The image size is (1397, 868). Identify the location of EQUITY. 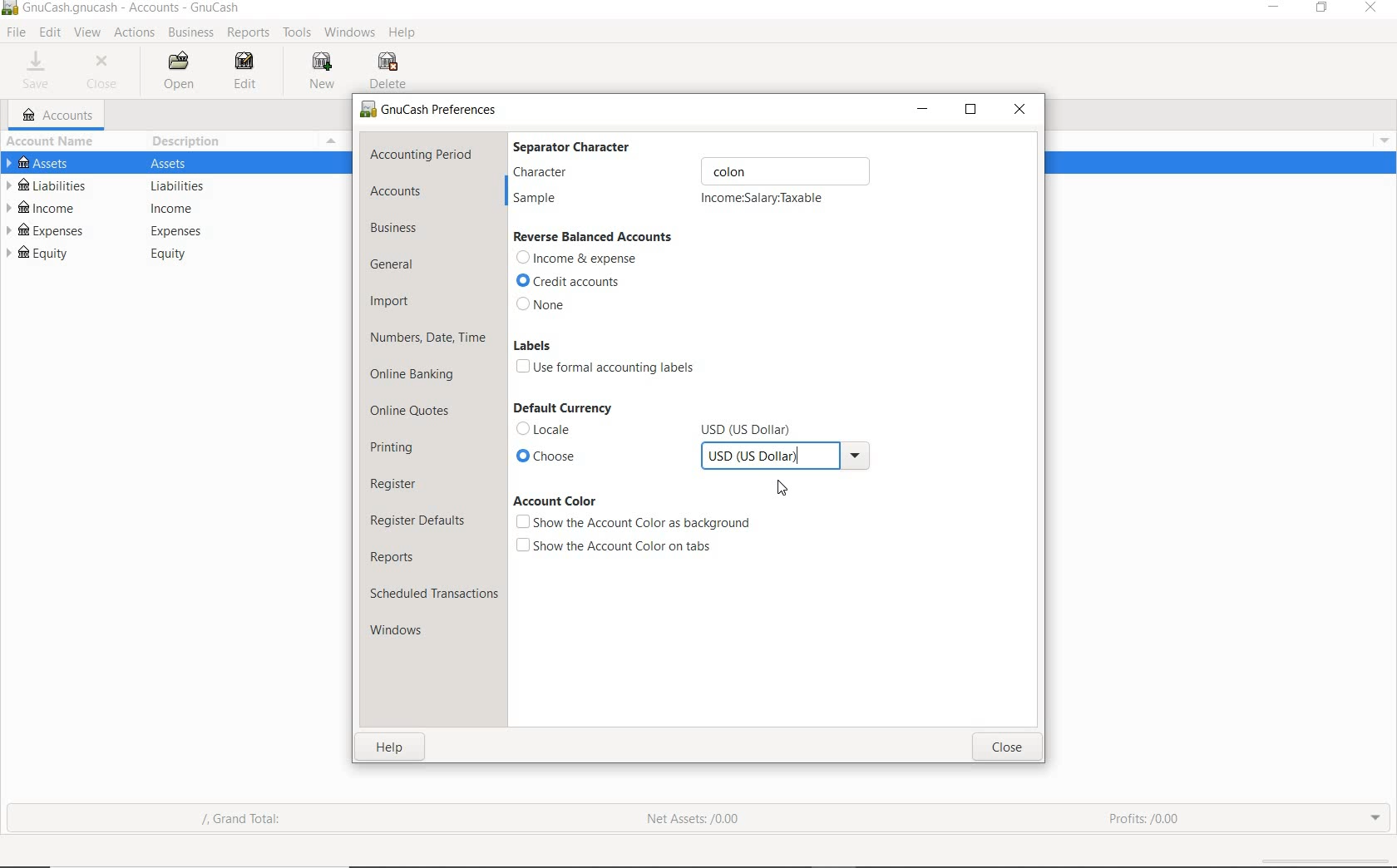
(39, 254).